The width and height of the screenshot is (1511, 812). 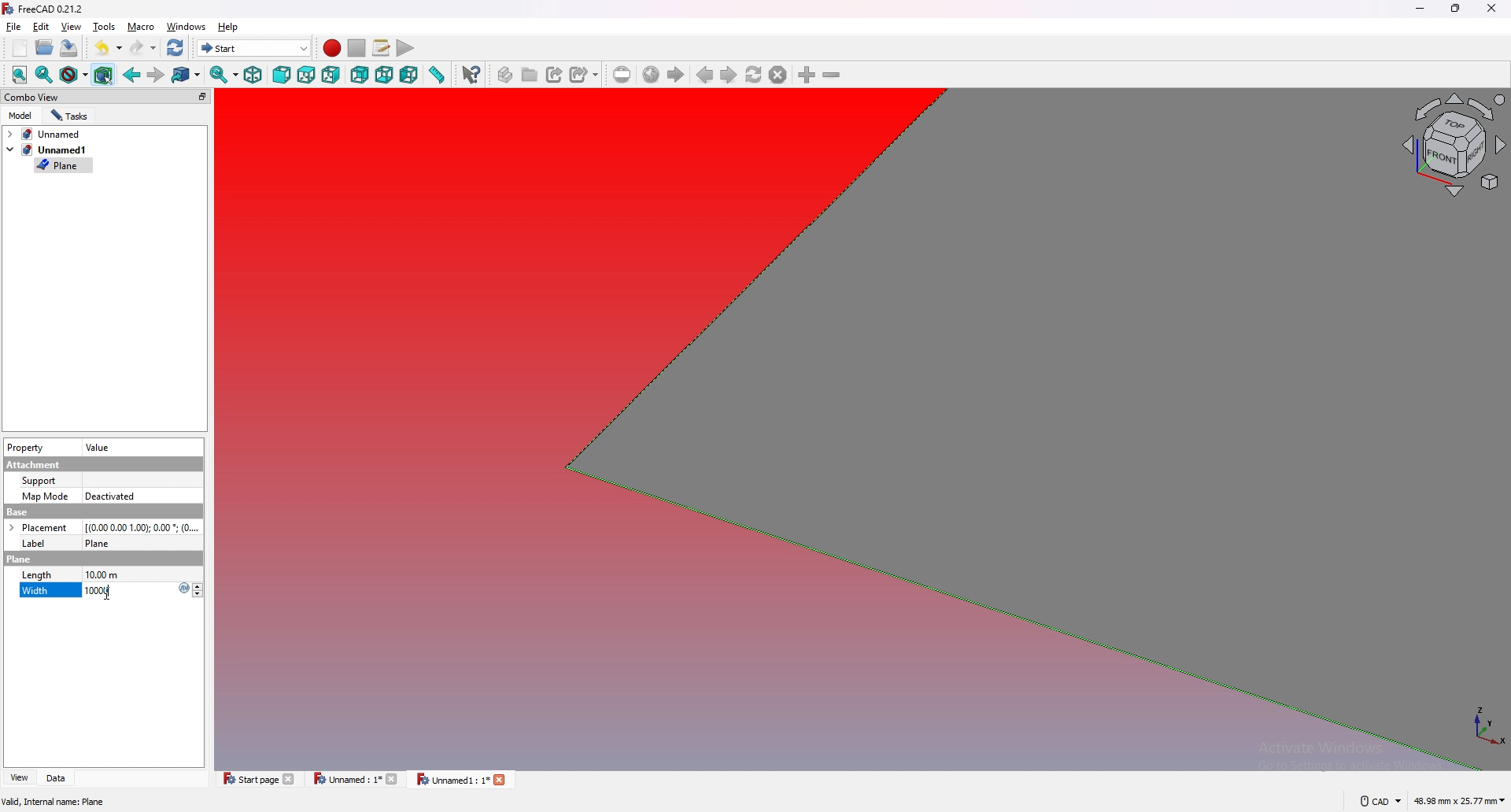 I want to click on stop loading, so click(x=778, y=75).